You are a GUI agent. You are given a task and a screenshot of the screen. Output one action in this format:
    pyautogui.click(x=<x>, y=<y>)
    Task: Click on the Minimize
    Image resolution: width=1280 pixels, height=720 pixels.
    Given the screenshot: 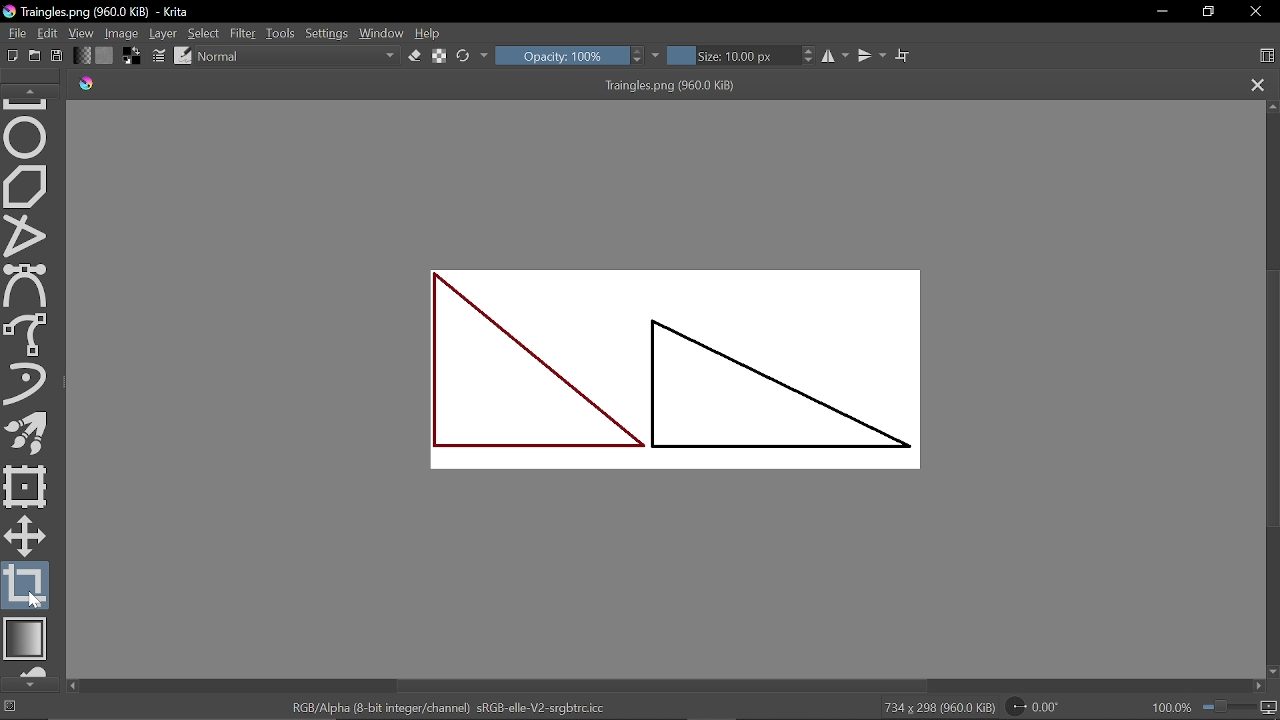 What is the action you would take?
    pyautogui.click(x=1162, y=13)
    